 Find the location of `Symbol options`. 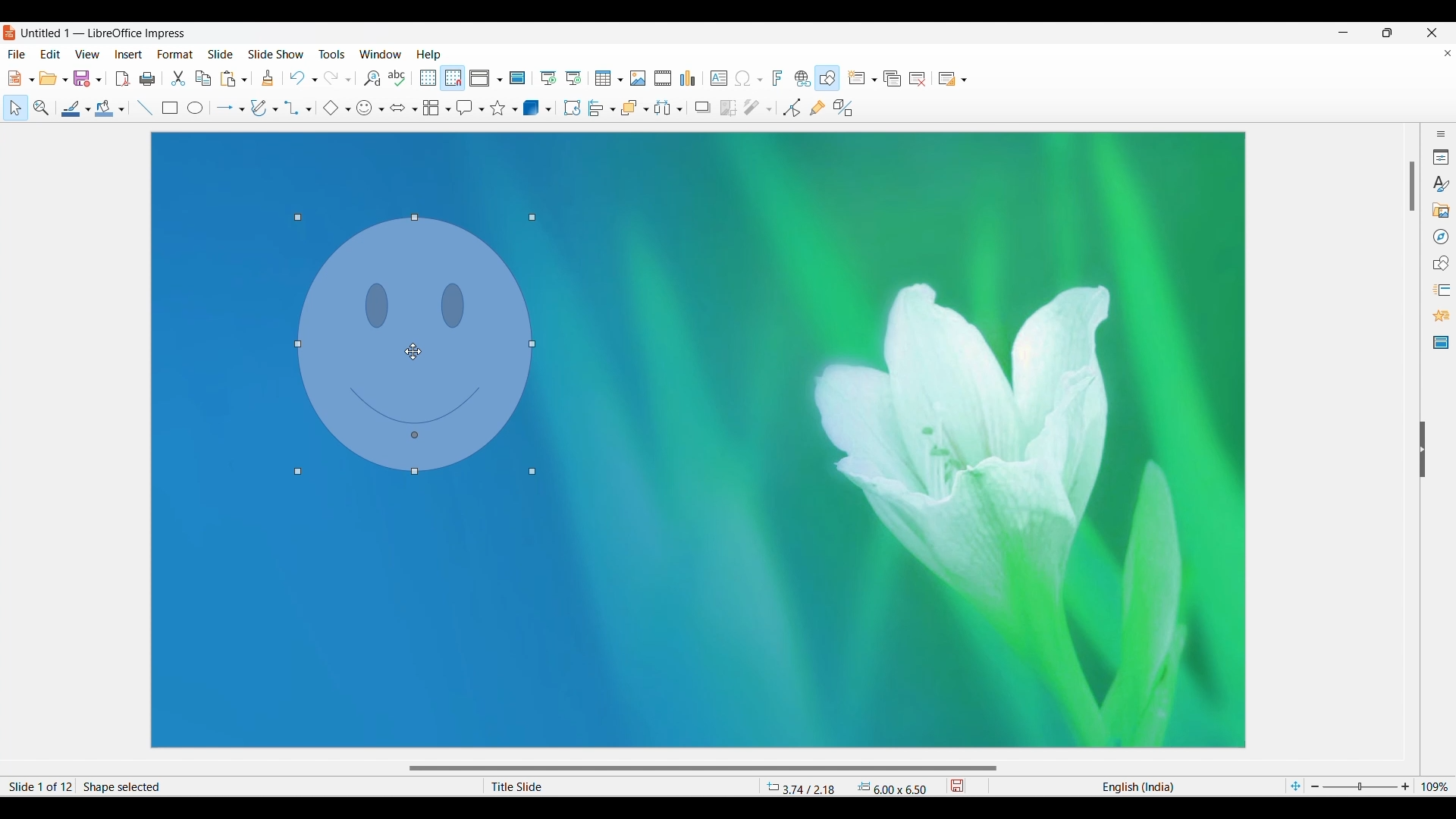

Symbol options is located at coordinates (381, 110).